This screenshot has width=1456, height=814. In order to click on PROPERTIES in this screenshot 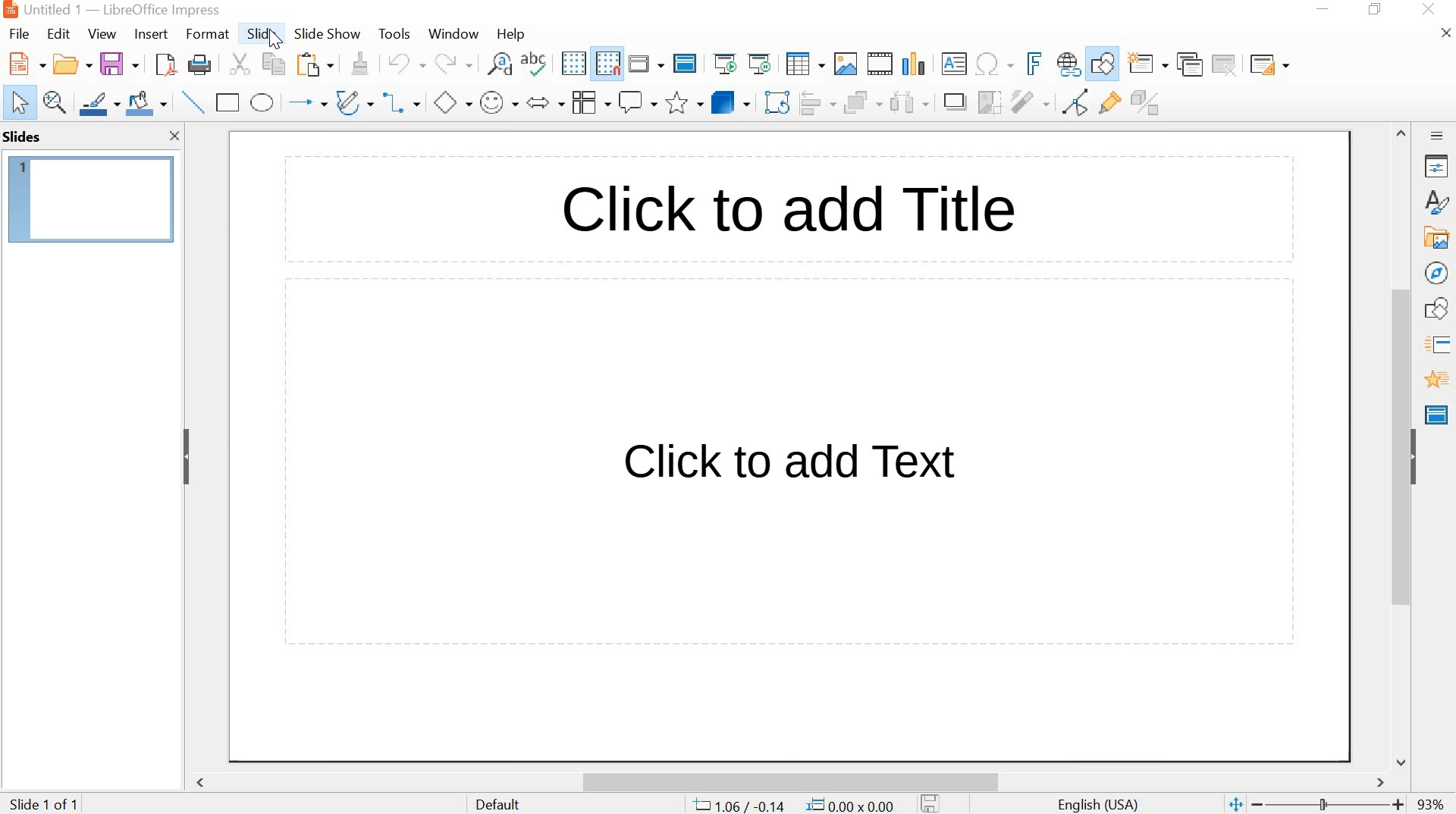, I will do `click(1438, 167)`.